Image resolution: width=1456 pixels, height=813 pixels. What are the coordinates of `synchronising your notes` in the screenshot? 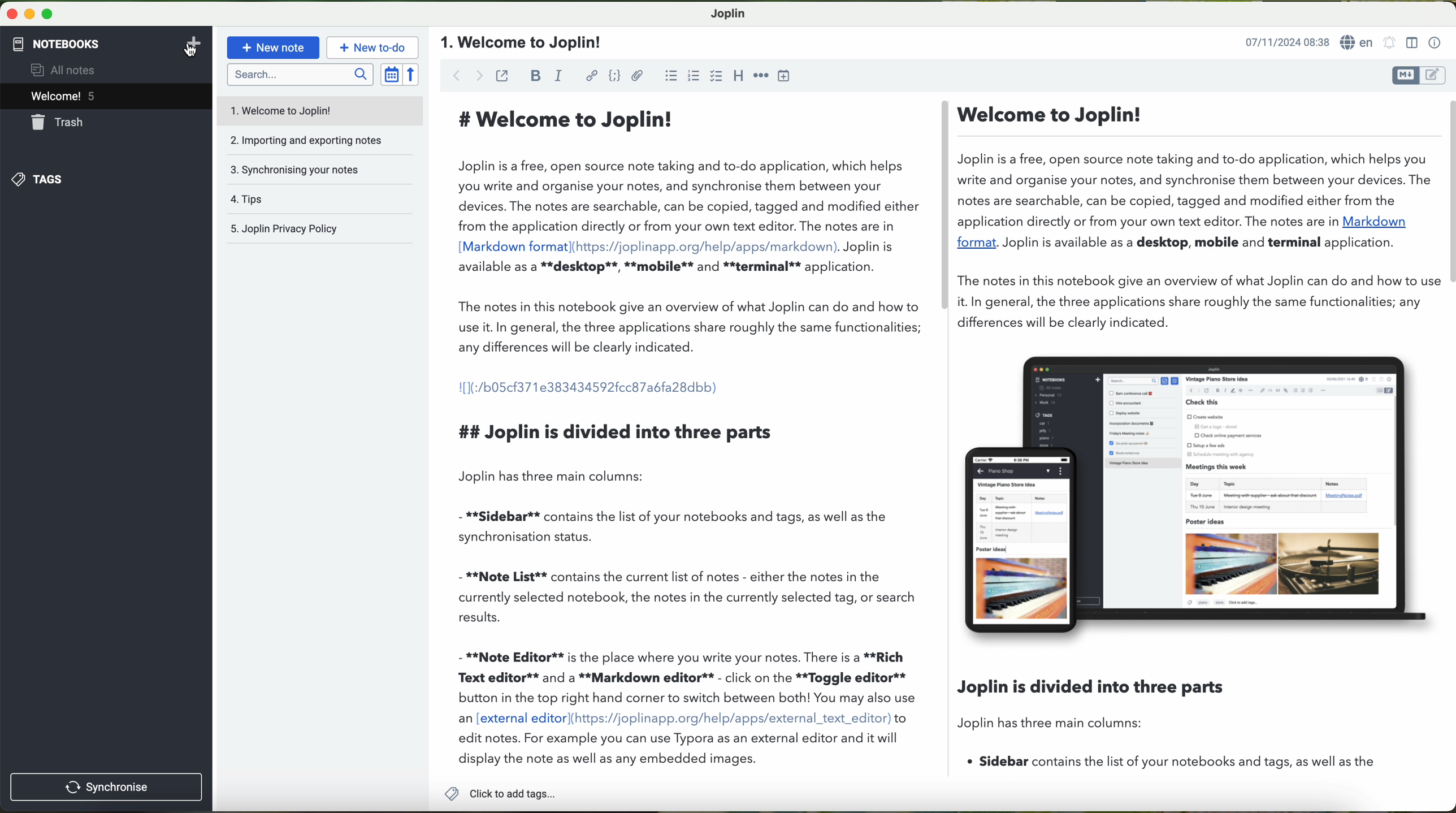 It's located at (300, 171).